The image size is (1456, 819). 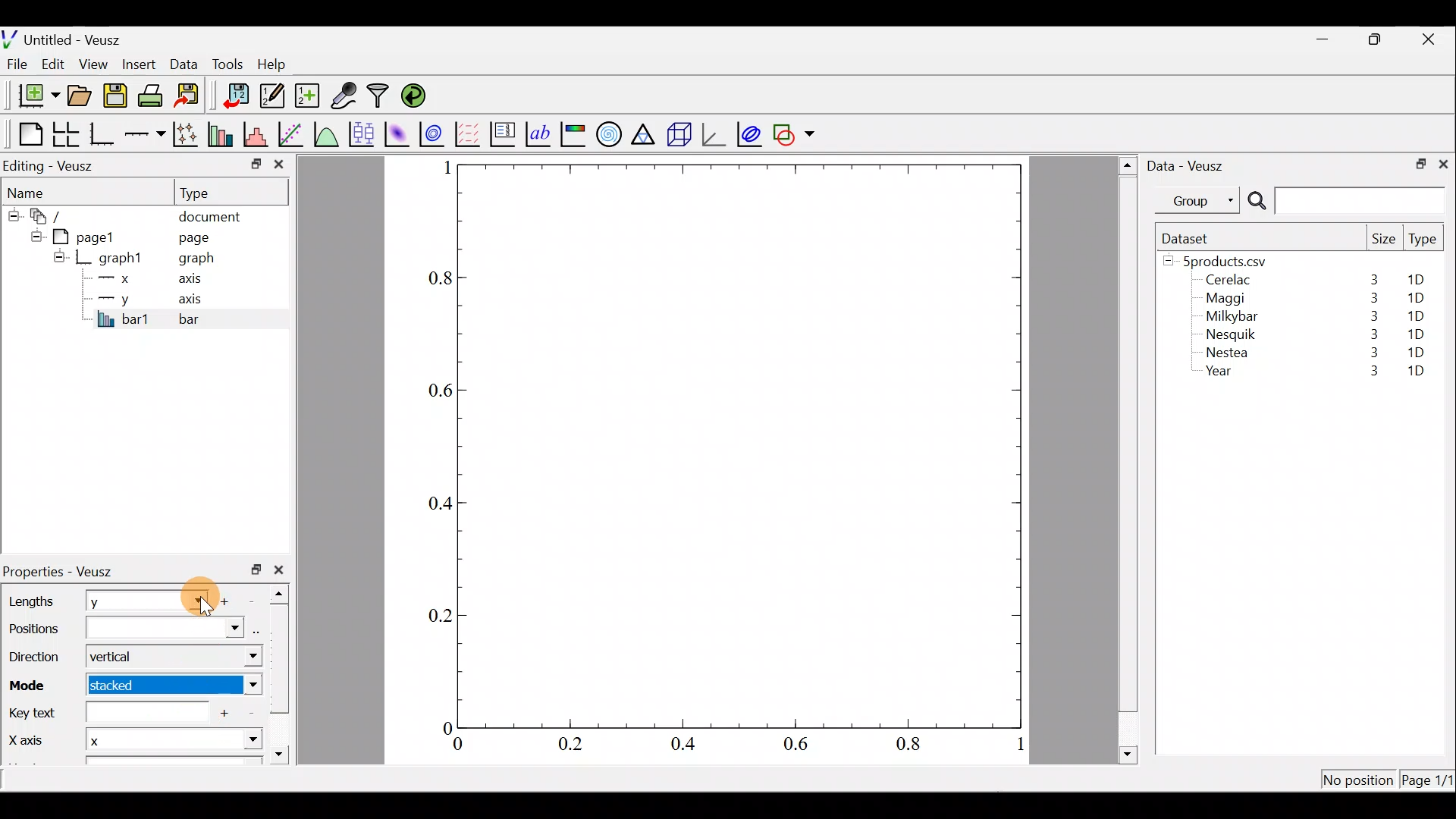 I want to click on Filter data, so click(x=381, y=97).